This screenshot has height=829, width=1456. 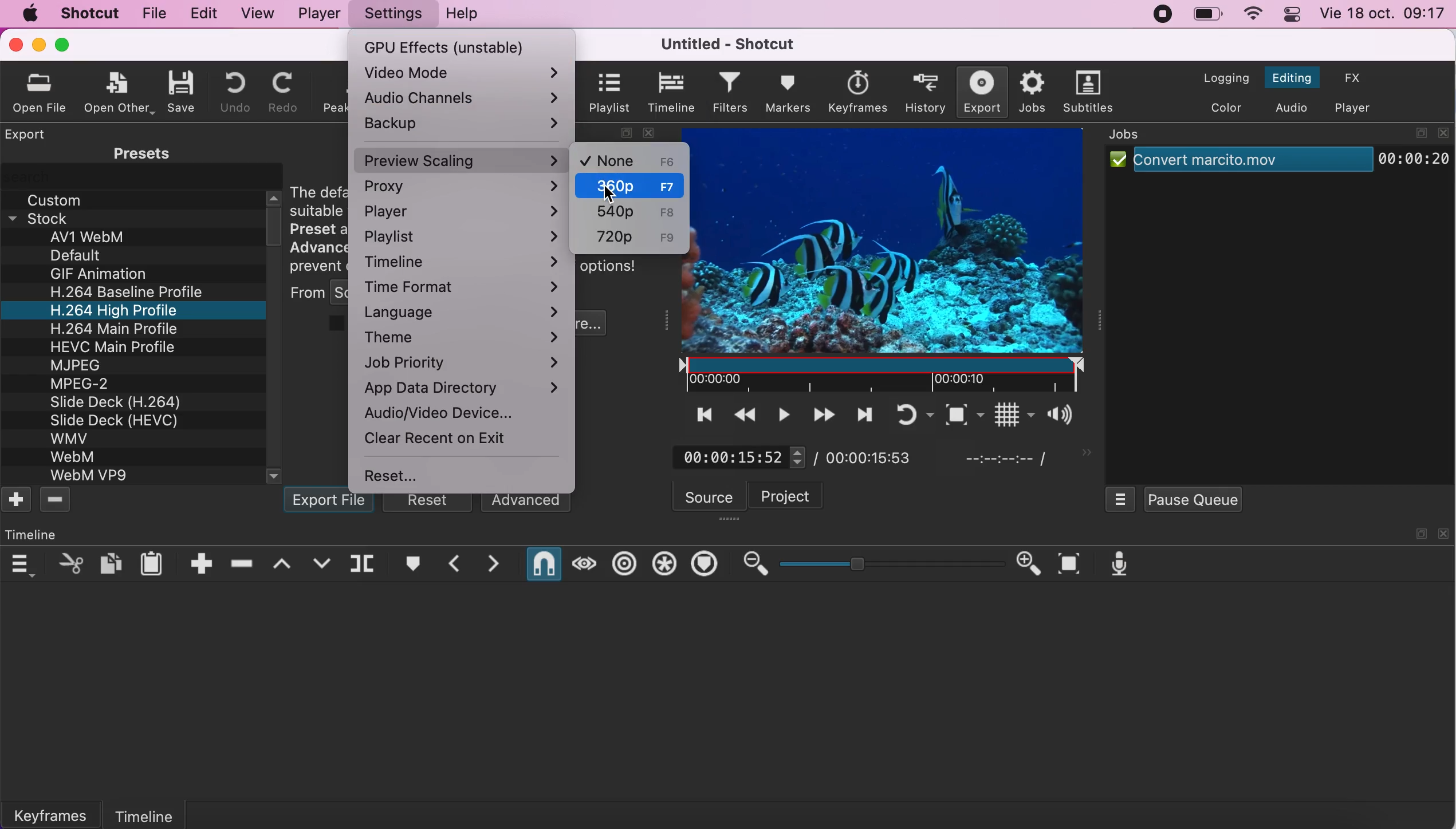 I want to click on time and date, so click(x=1385, y=15).